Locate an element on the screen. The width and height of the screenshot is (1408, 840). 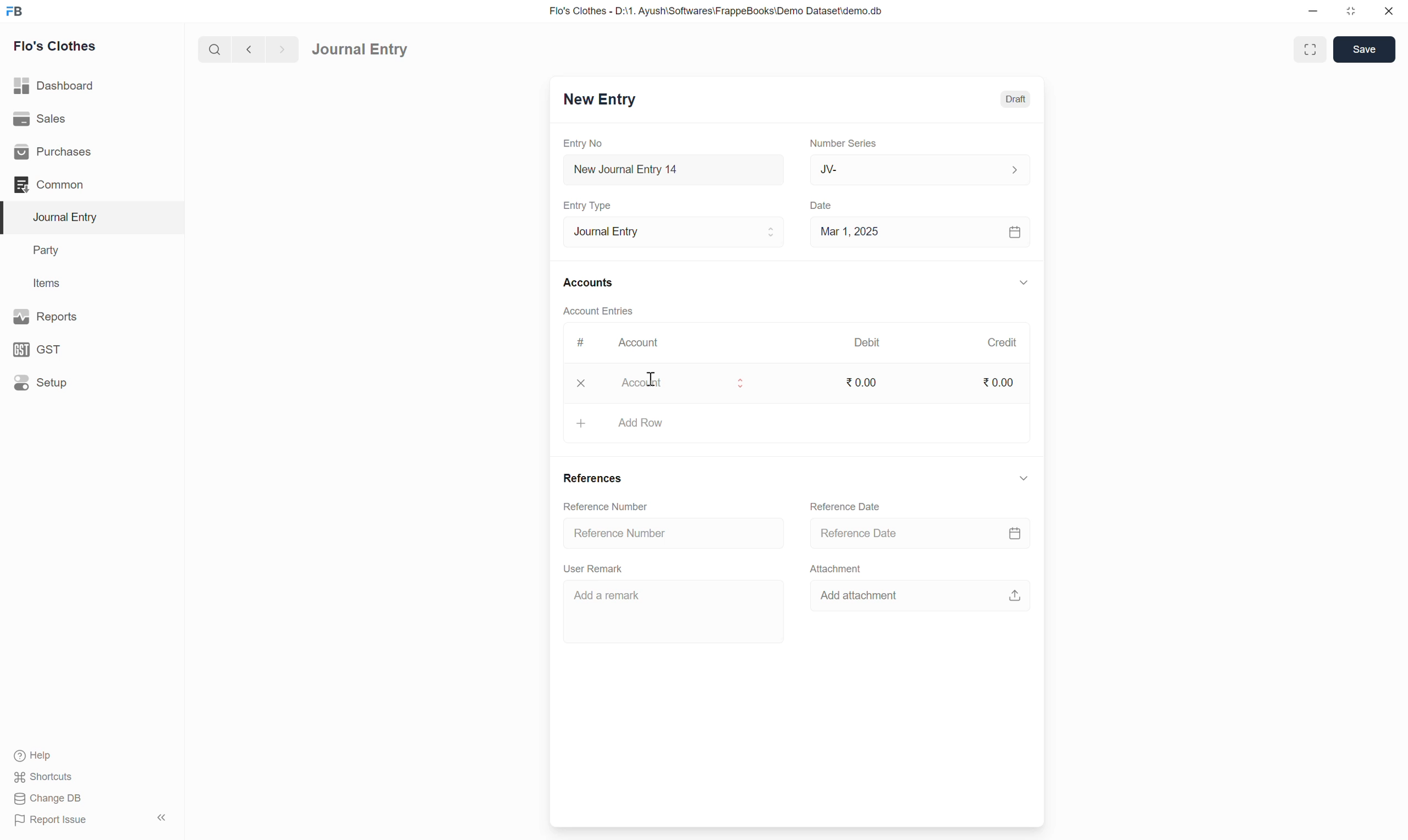
0.00 is located at coordinates (863, 382).